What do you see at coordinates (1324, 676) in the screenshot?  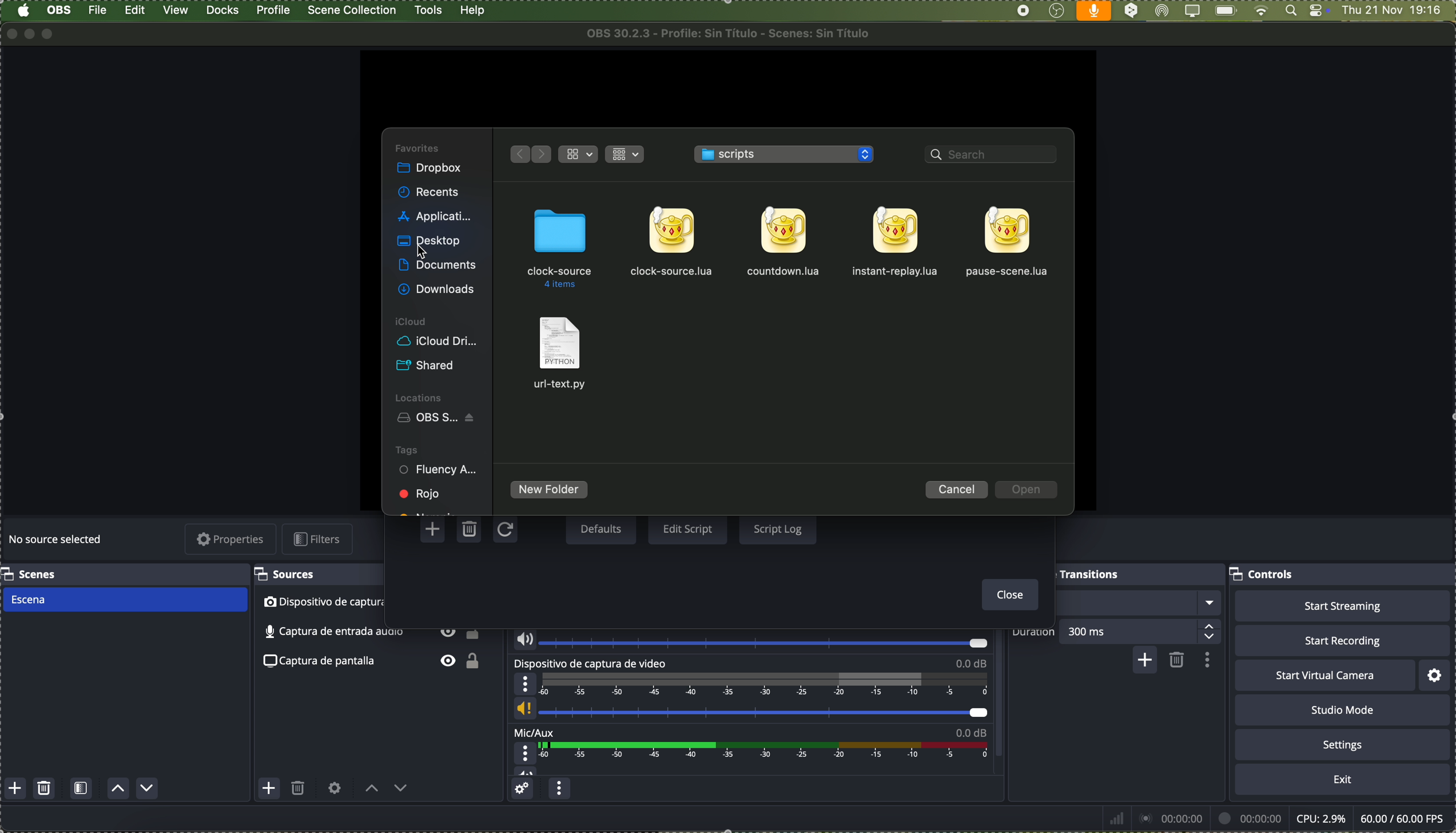 I see `start virtual camera` at bounding box center [1324, 676].